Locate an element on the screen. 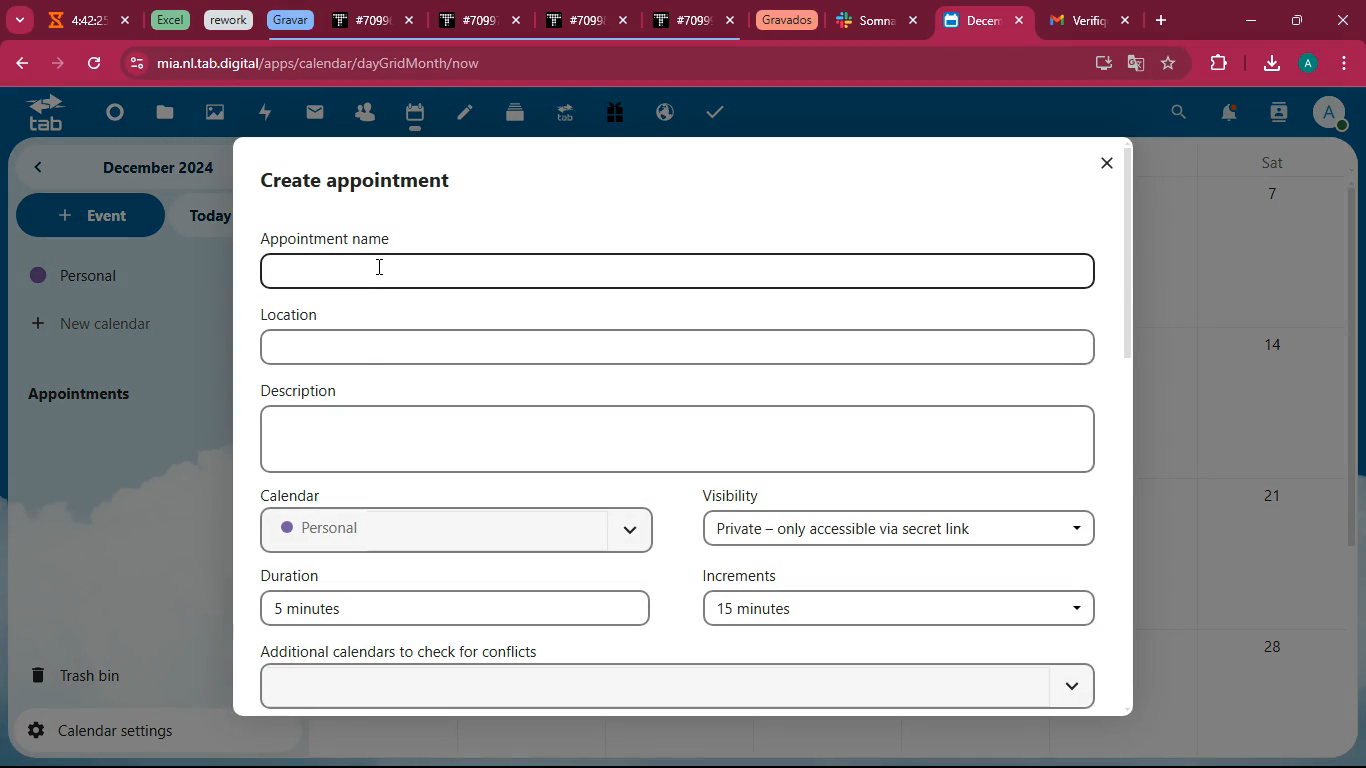 Image resolution: width=1366 pixels, height=768 pixels. tab is located at coordinates (229, 21).